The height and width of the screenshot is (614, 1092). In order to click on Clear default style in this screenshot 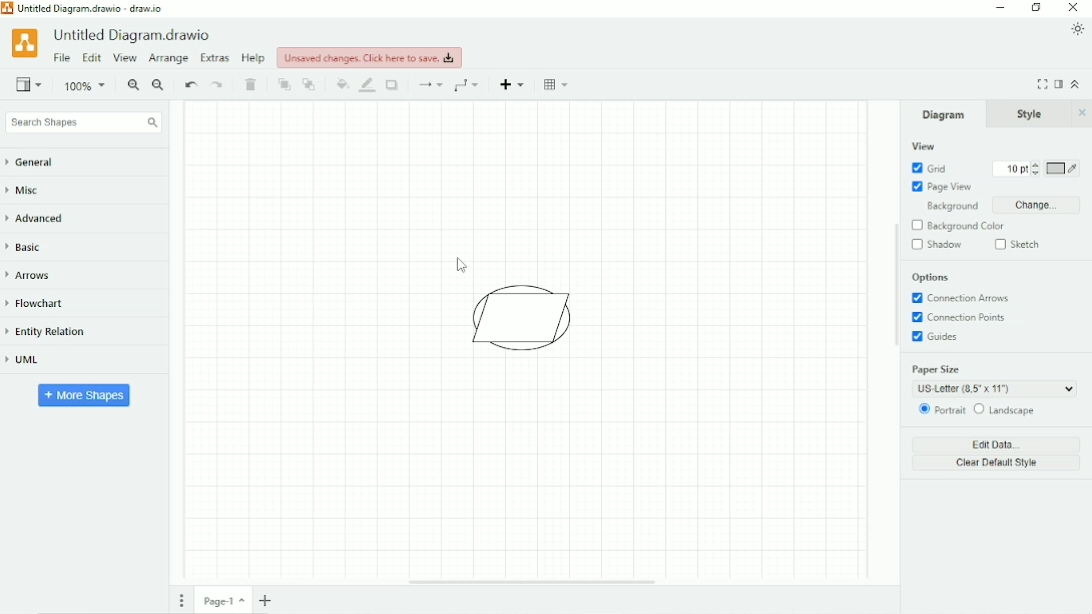, I will do `click(997, 464)`.